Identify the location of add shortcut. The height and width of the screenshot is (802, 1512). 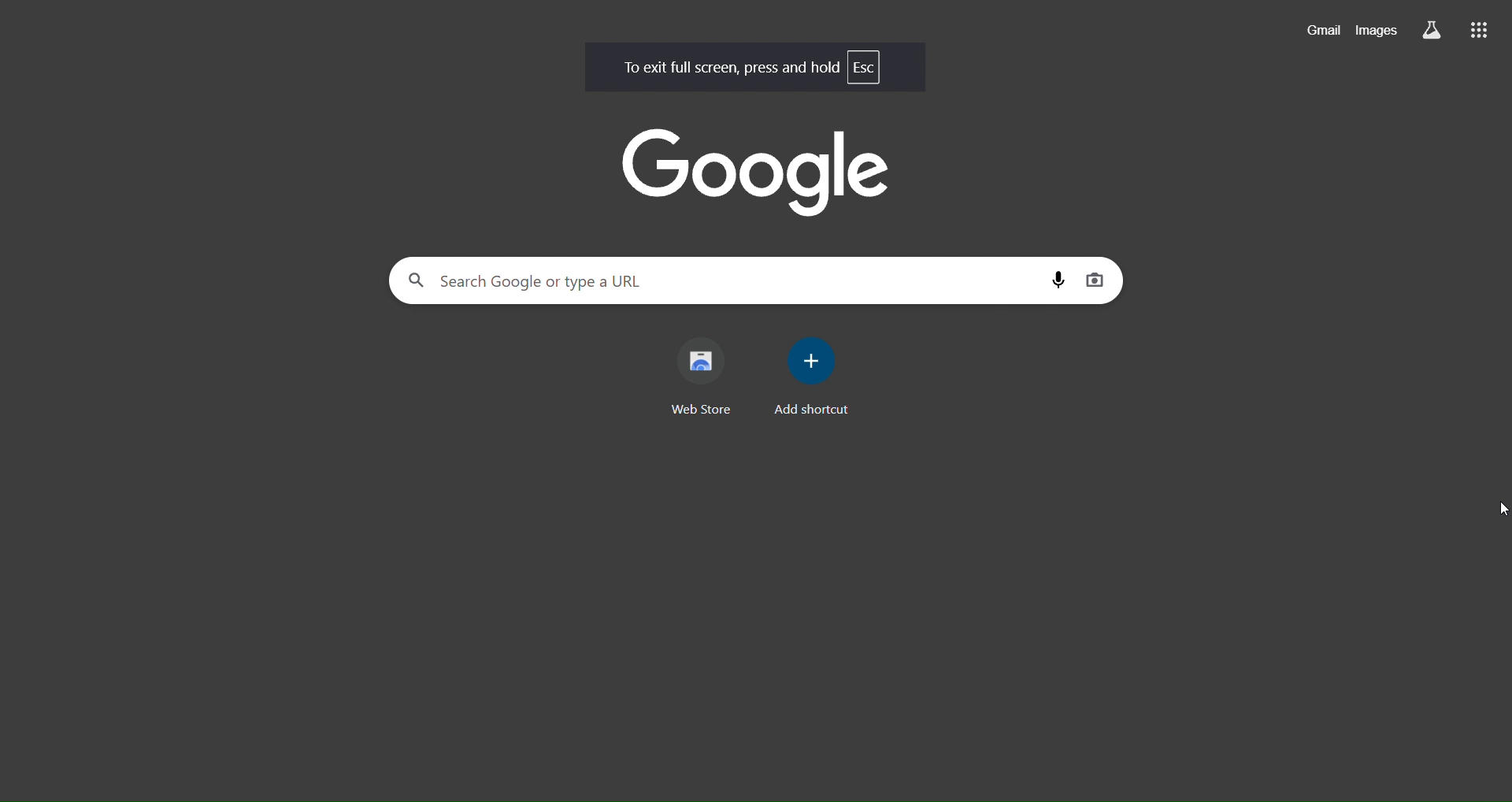
(806, 374).